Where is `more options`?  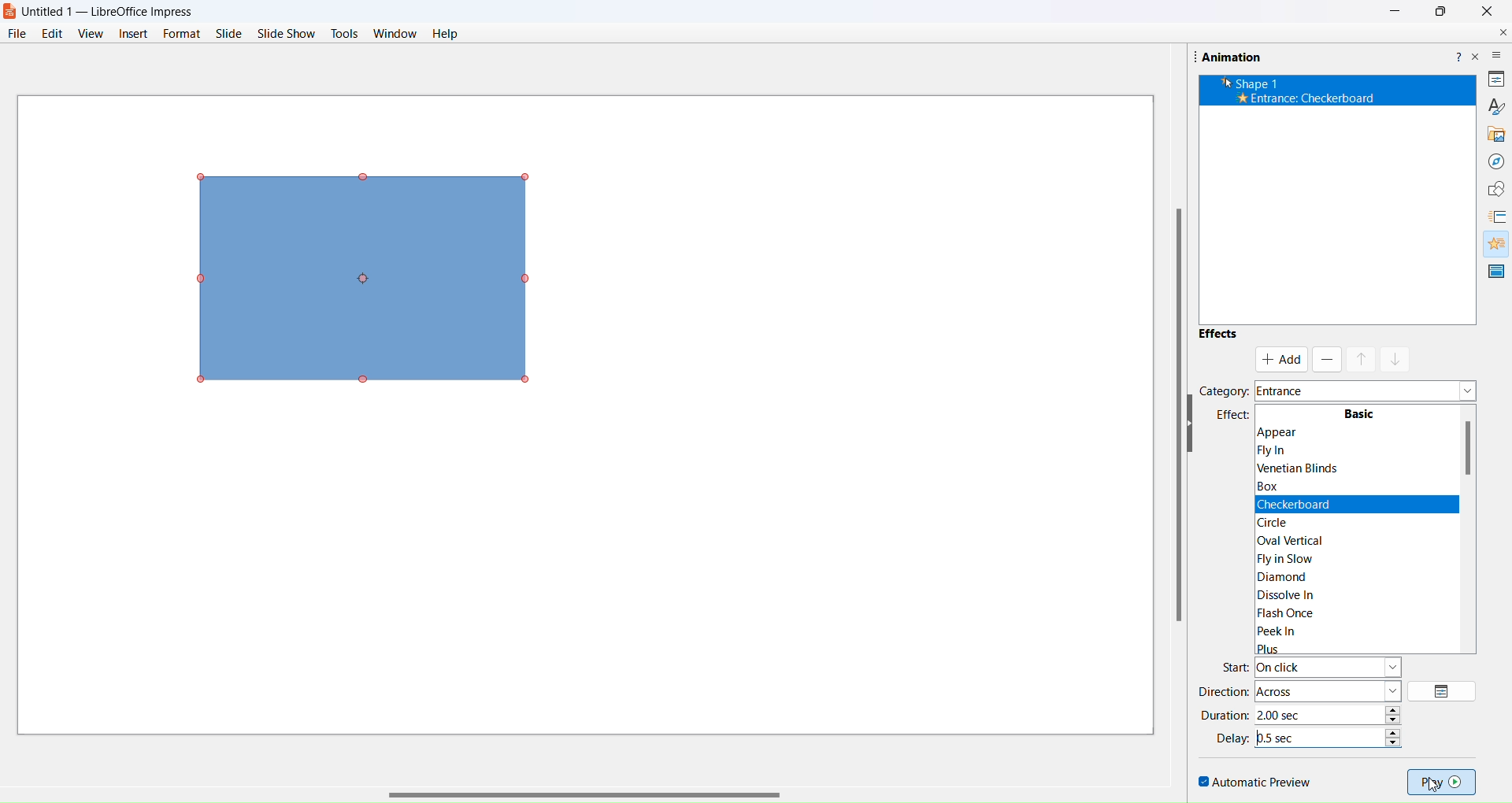 more options is located at coordinates (1497, 55).